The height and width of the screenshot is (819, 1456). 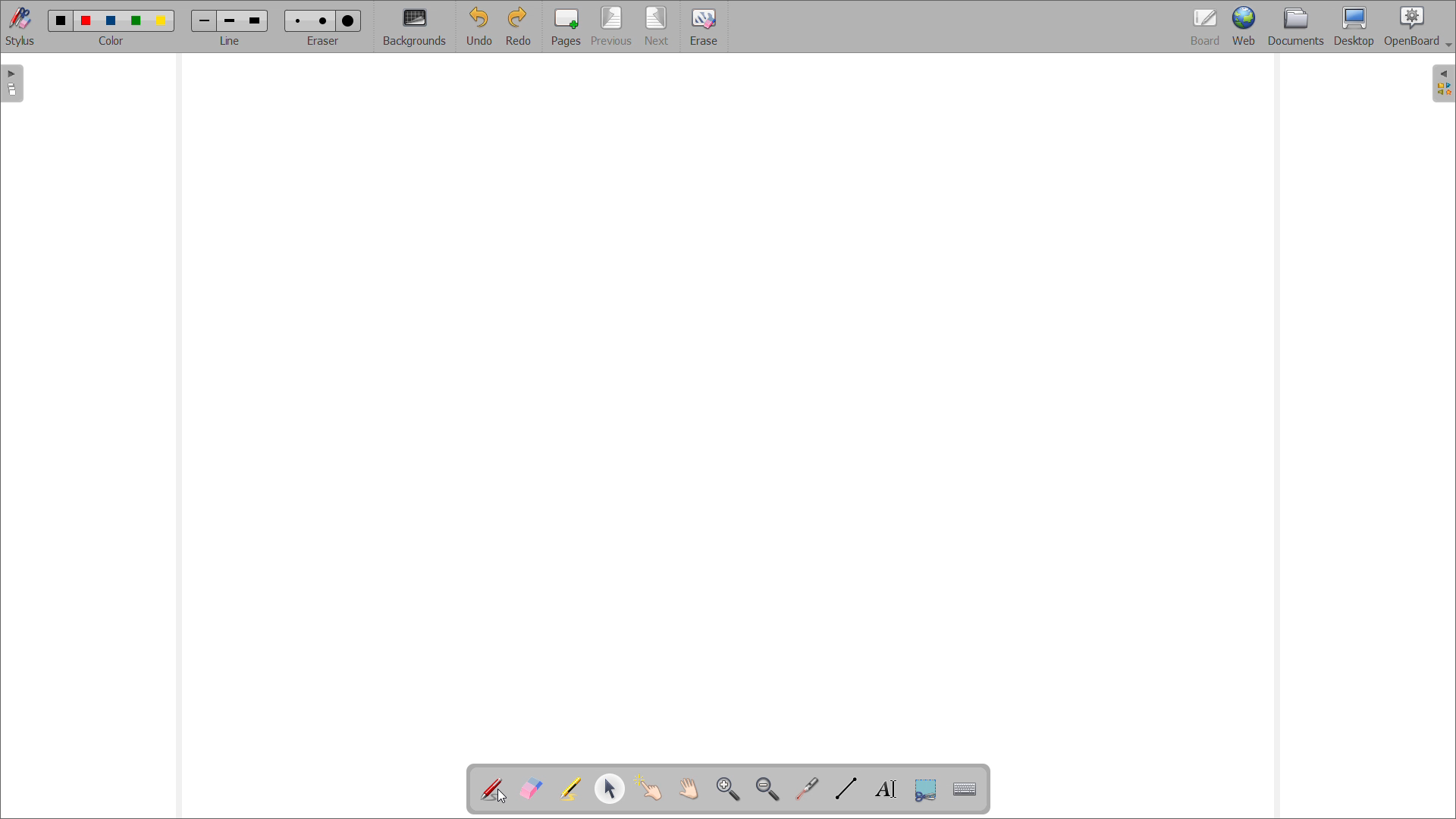 I want to click on cursor, so click(x=503, y=797).